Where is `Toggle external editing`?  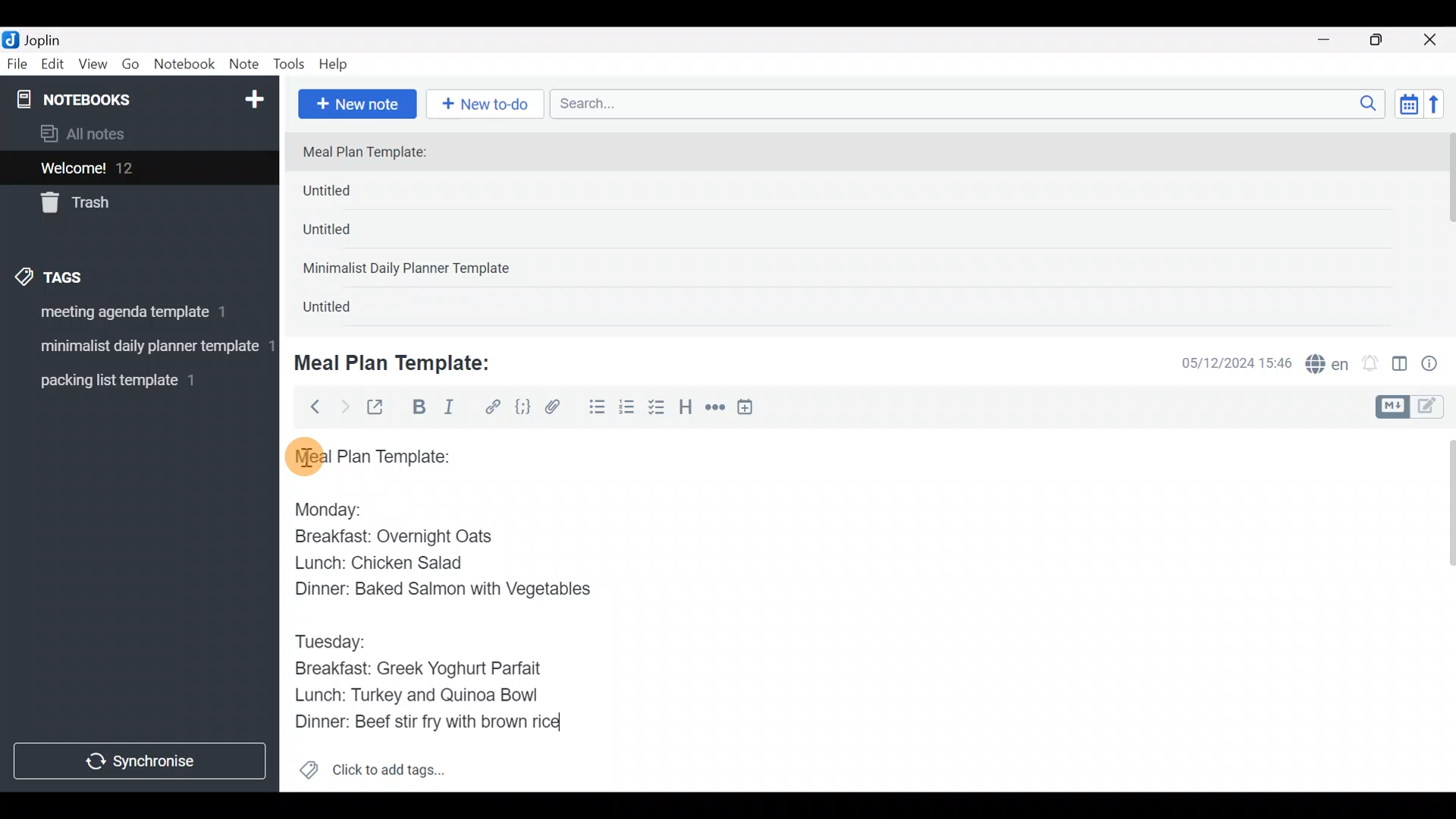
Toggle external editing is located at coordinates (381, 408).